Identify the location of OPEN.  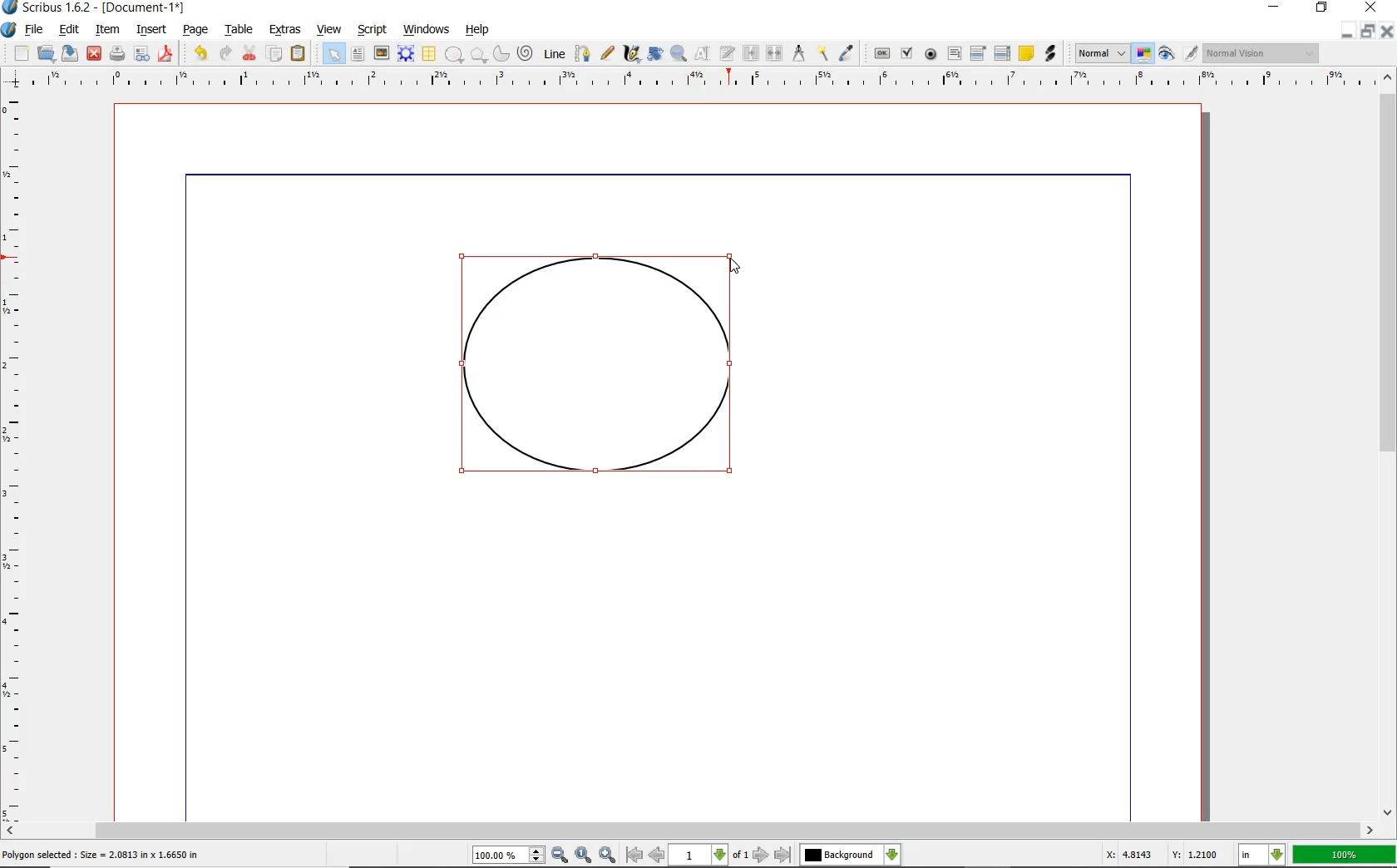
(46, 52).